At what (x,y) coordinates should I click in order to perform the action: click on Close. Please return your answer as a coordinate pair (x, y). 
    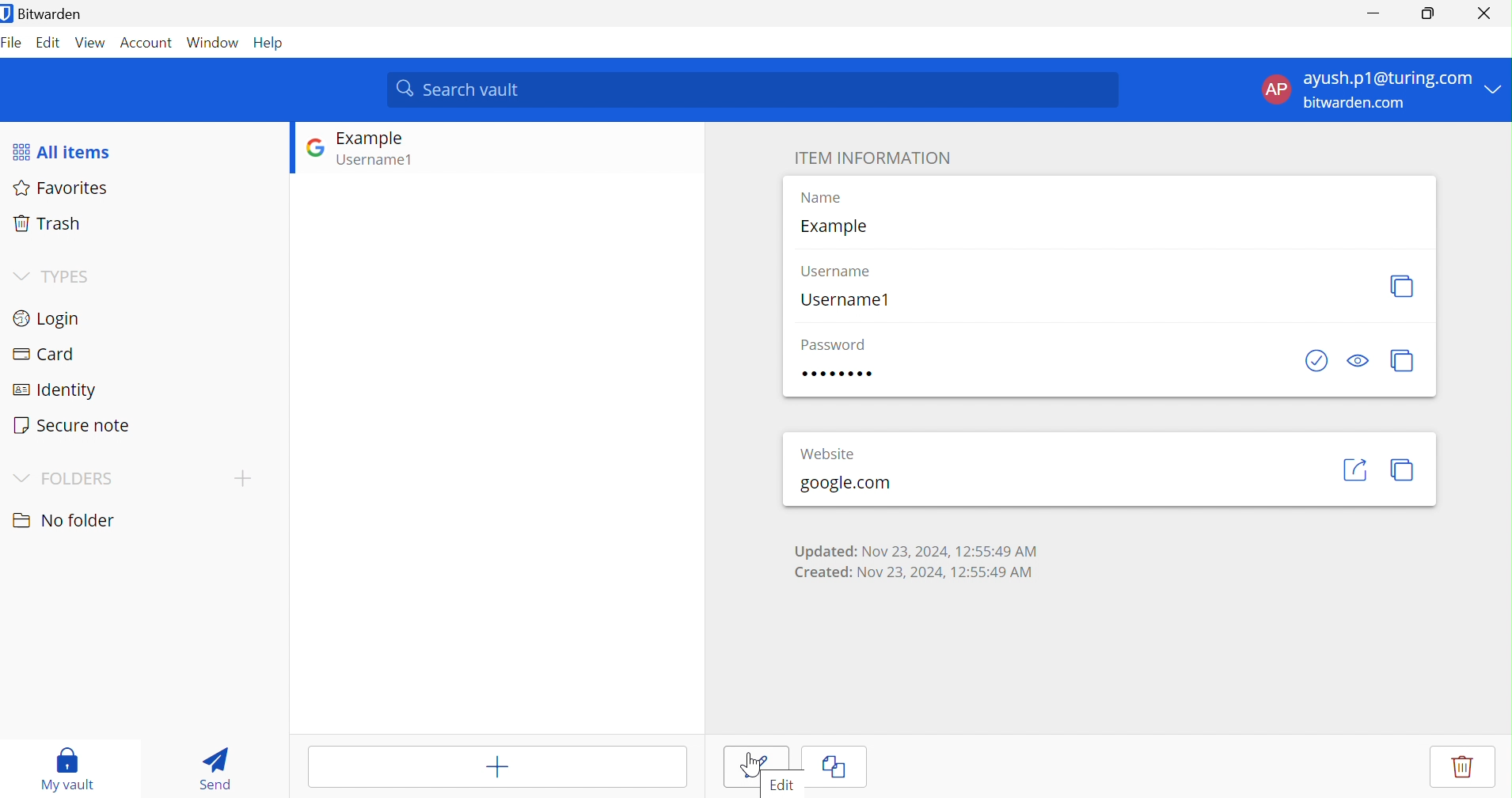
    Looking at the image, I should click on (1484, 11).